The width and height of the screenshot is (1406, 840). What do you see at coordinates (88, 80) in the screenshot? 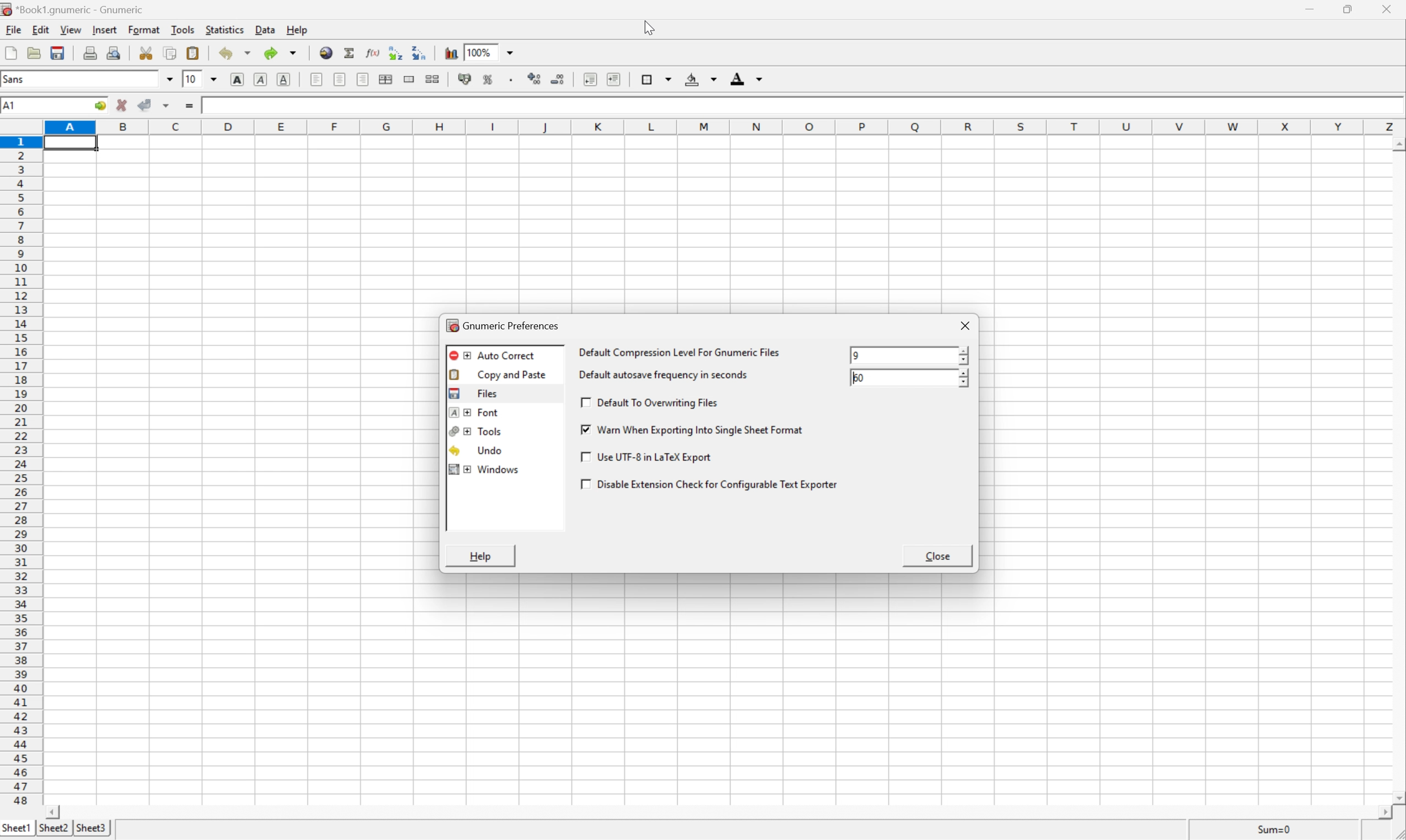
I see `Font name - sans` at bounding box center [88, 80].